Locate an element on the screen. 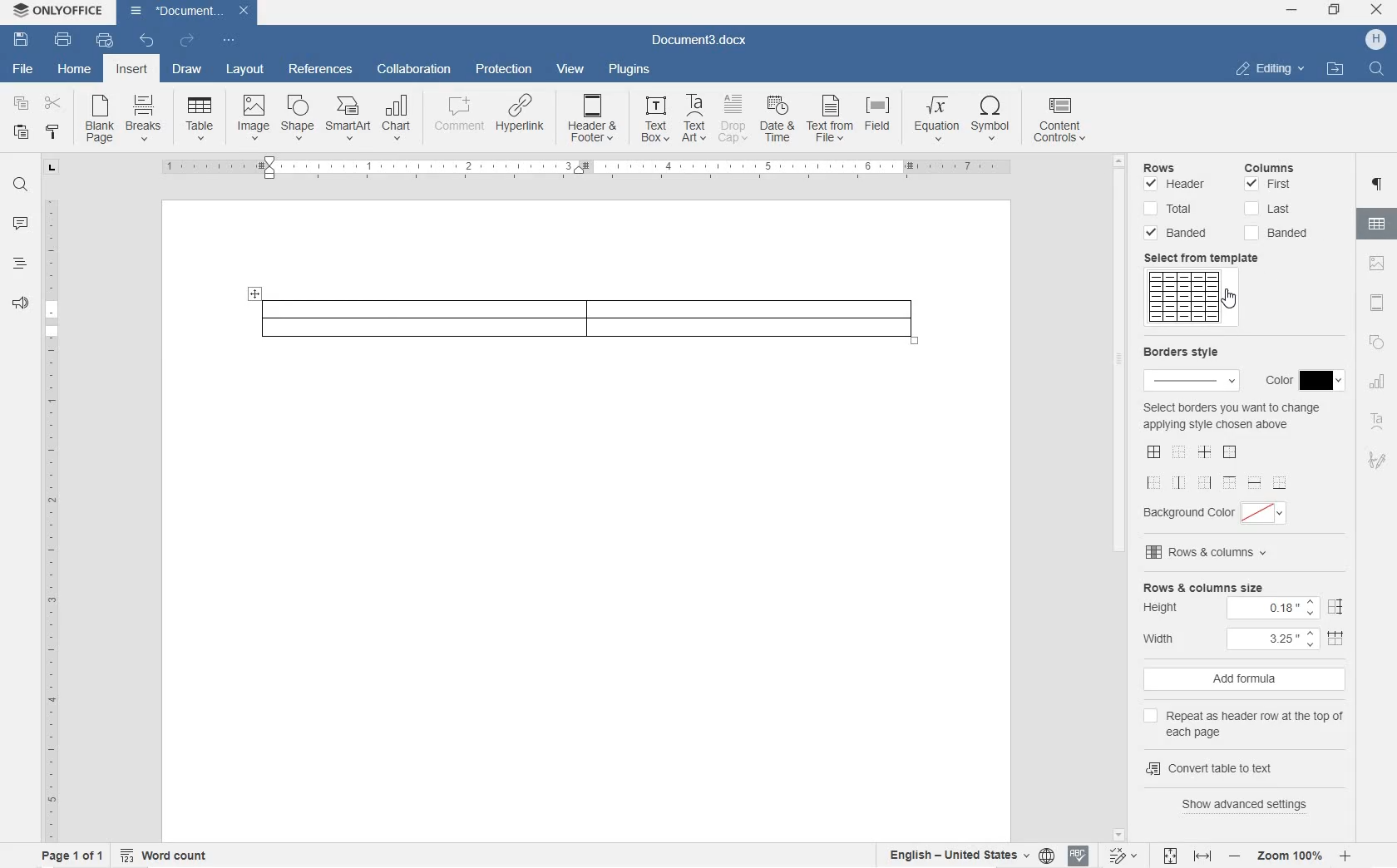 This screenshot has height=868, width=1397. SCROLLBAR is located at coordinates (1121, 496).